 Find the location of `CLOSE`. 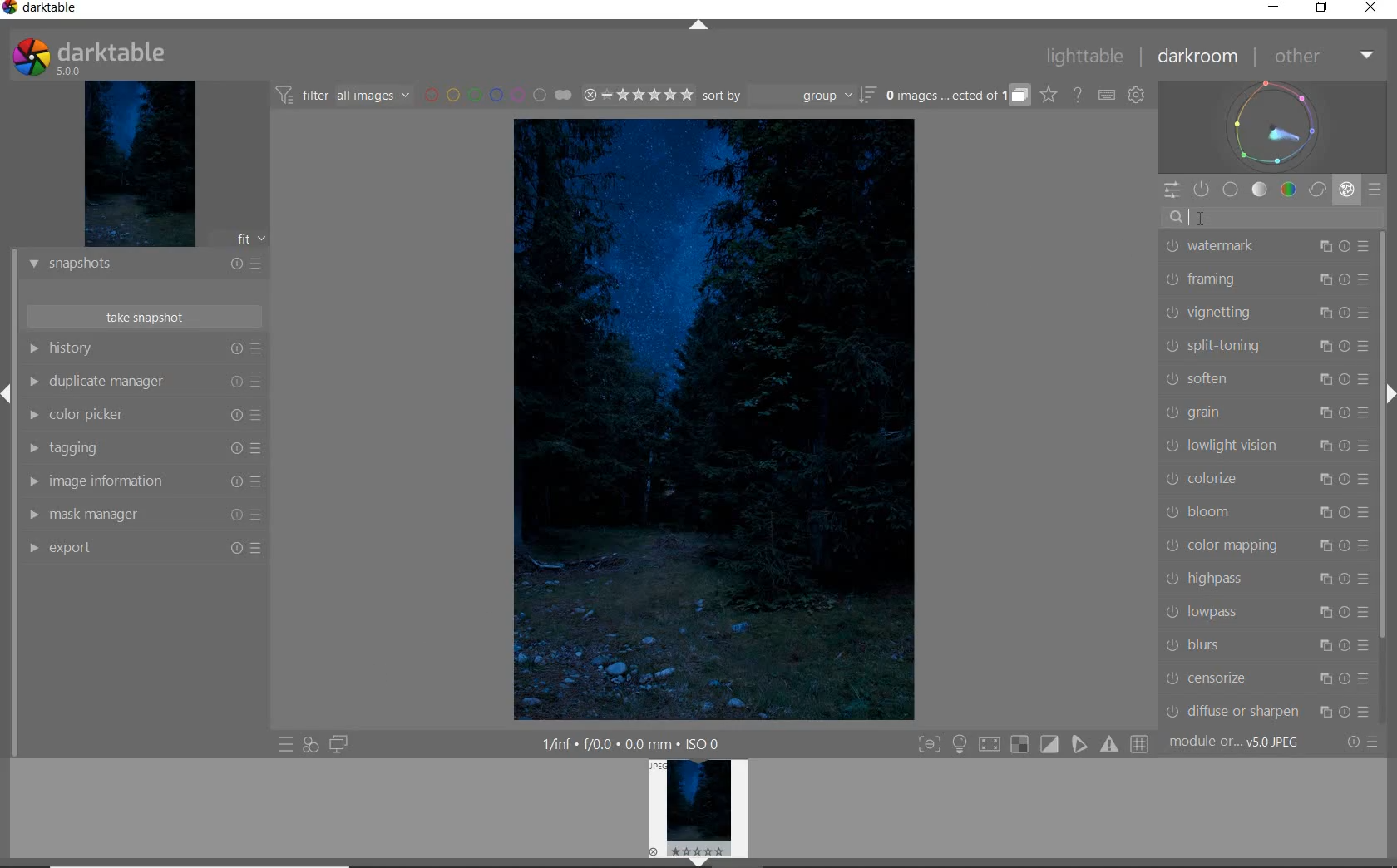

CLOSE is located at coordinates (1370, 10).